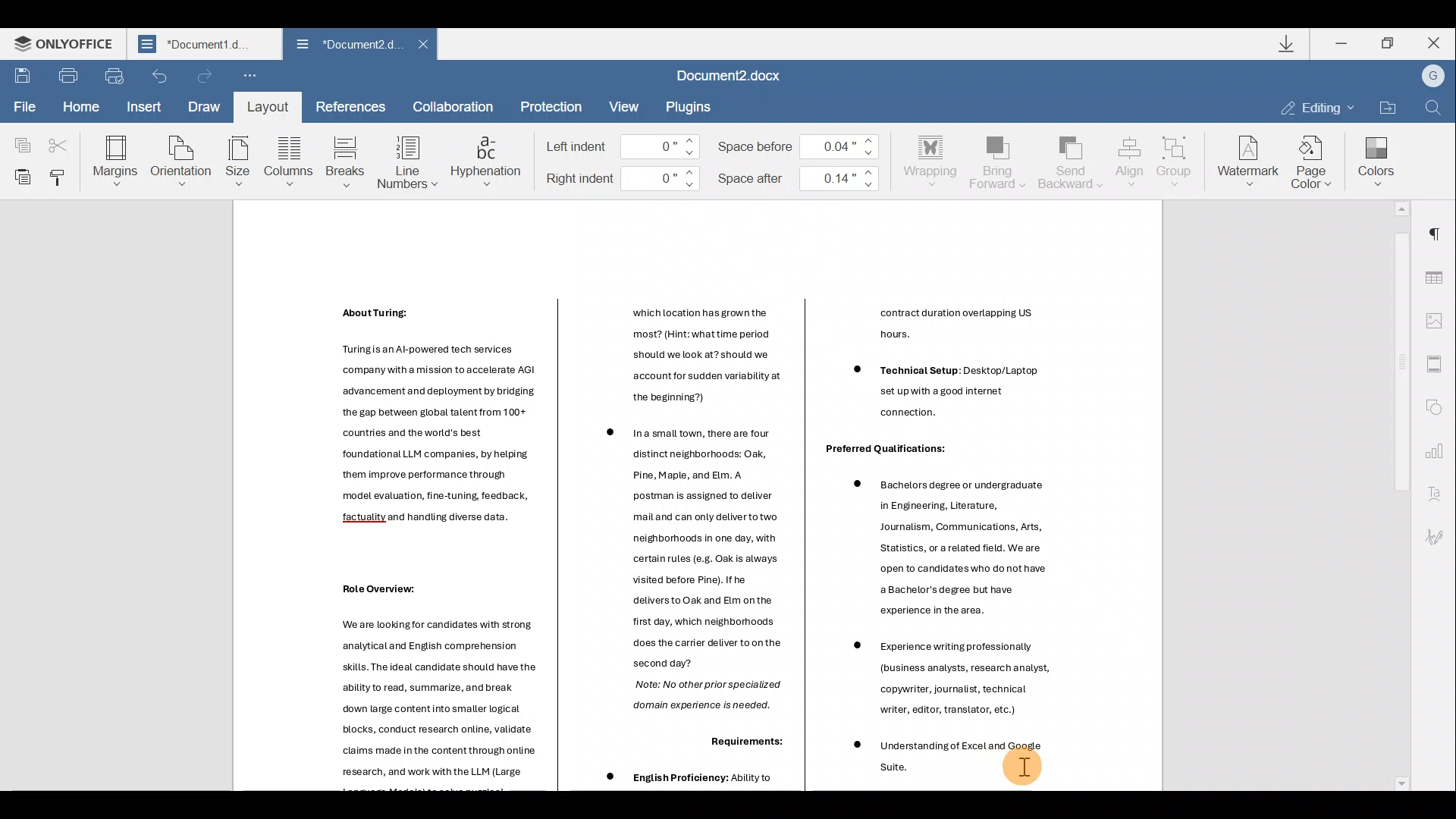  What do you see at coordinates (267, 106) in the screenshot?
I see `Layout` at bounding box center [267, 106].